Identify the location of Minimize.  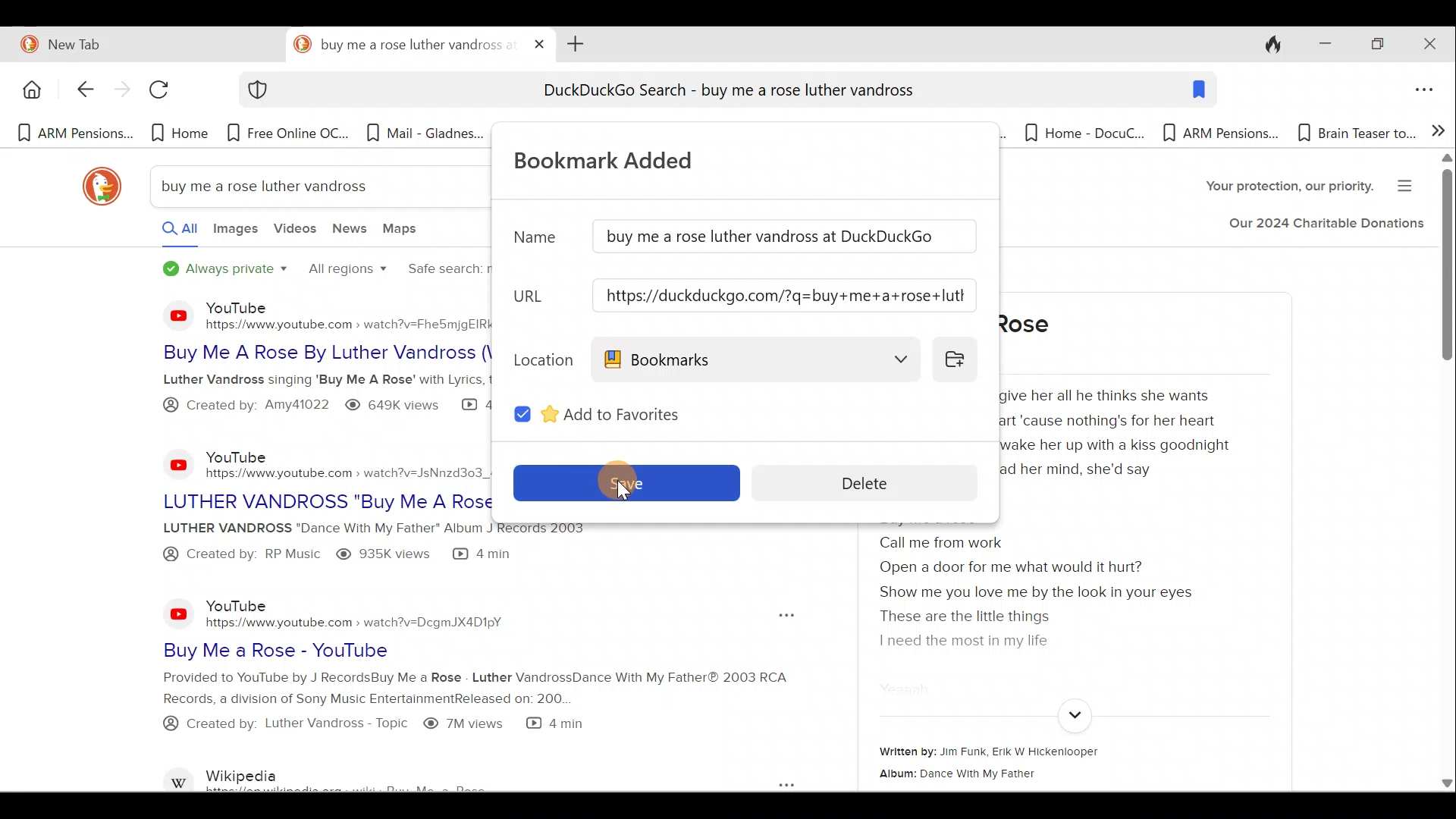
(1320, 45).